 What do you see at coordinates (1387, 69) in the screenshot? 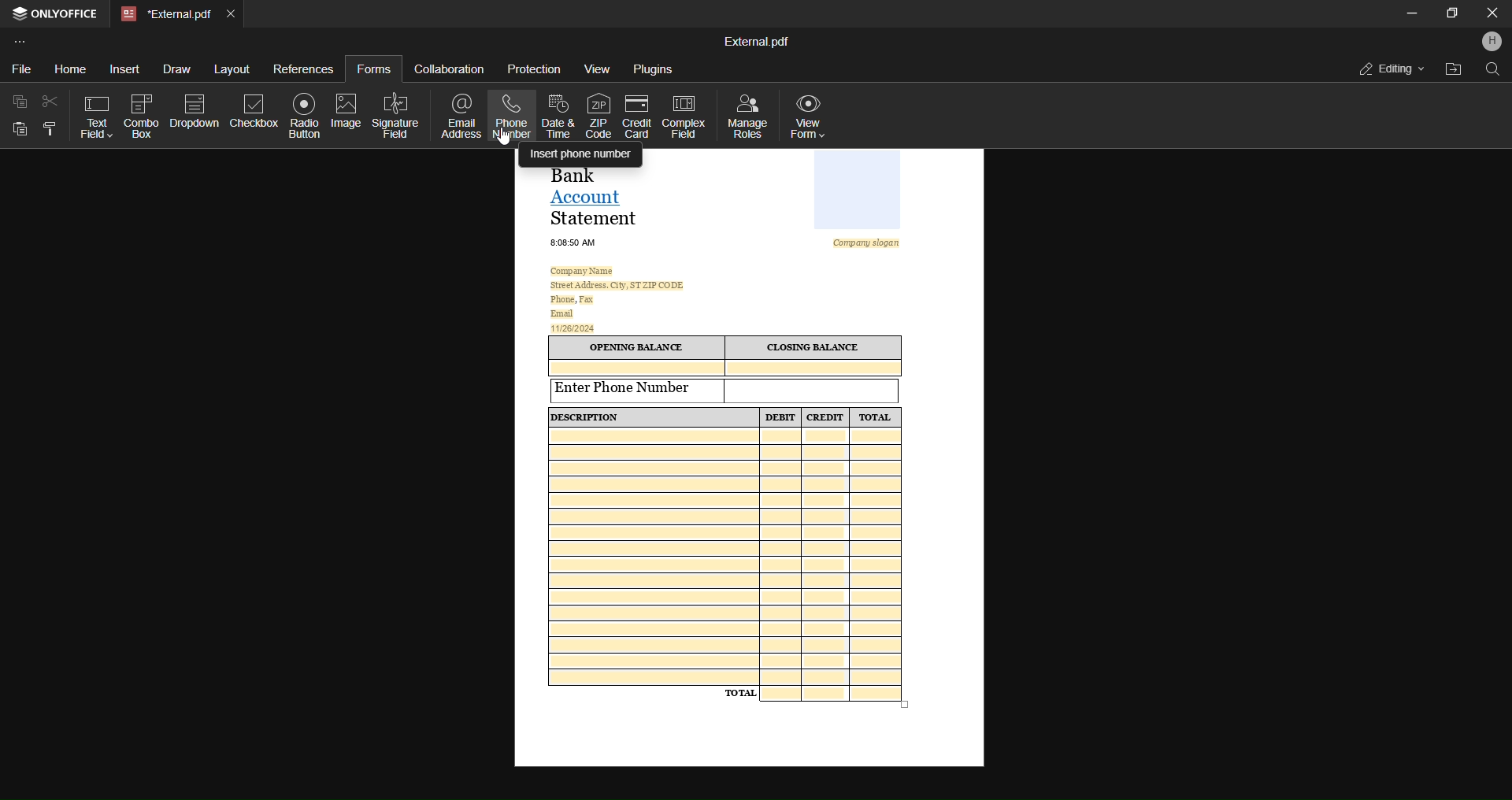
I see `editing` at bounding box center [1387, 69].